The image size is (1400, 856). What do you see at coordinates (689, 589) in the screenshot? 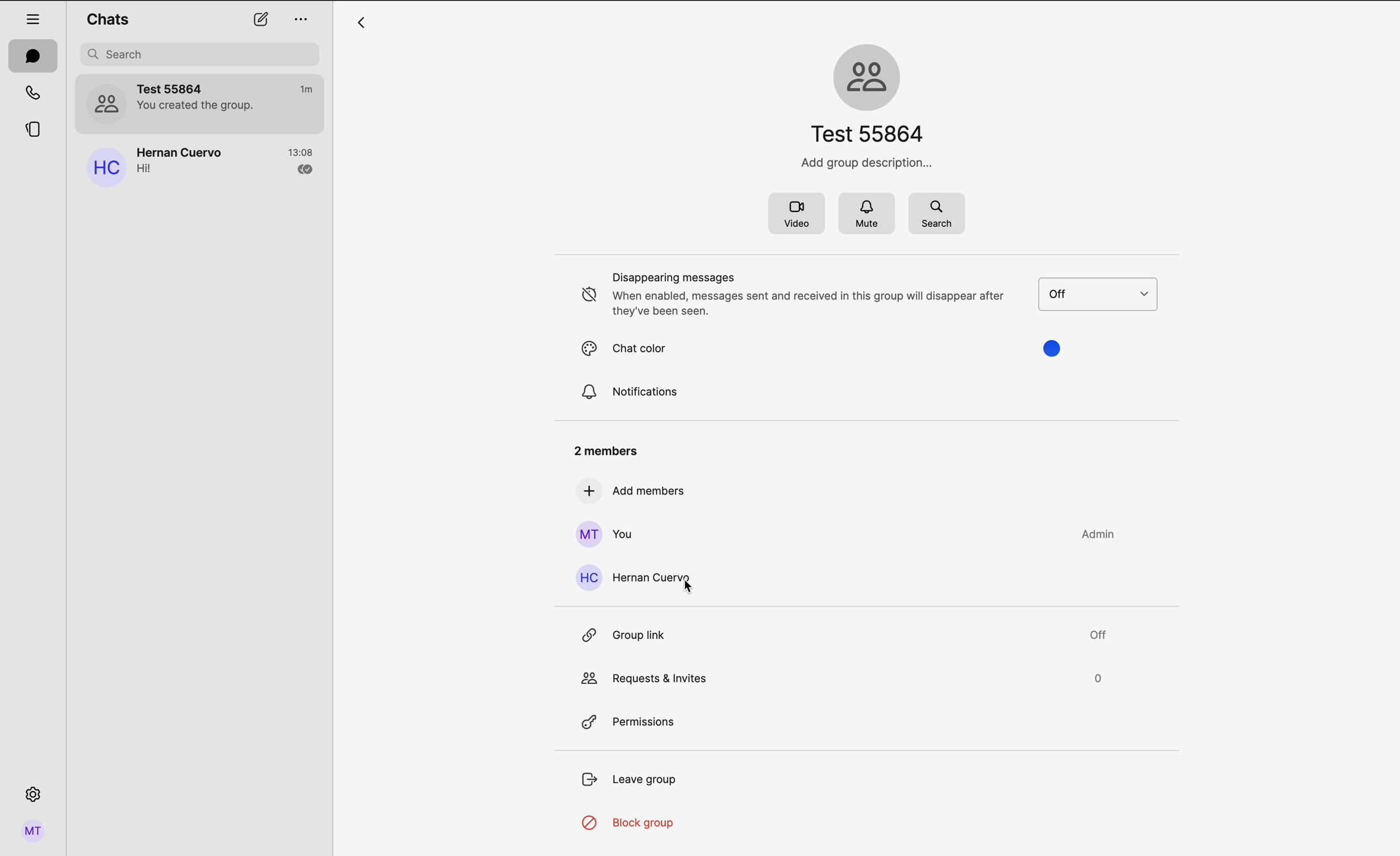
I see `cursor` at bounding box center [689, 589].